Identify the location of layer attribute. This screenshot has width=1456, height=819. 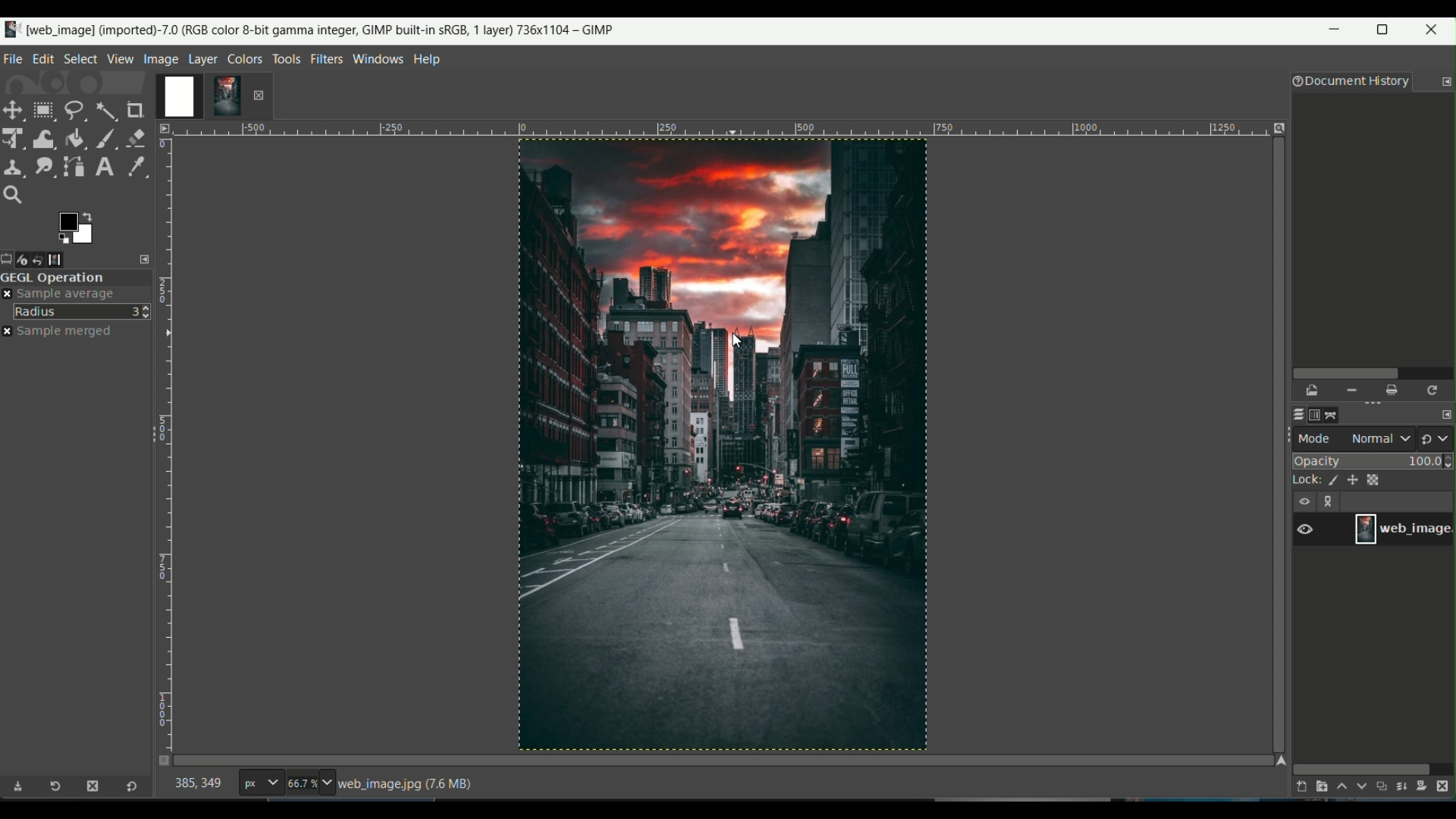
(1313, 528).